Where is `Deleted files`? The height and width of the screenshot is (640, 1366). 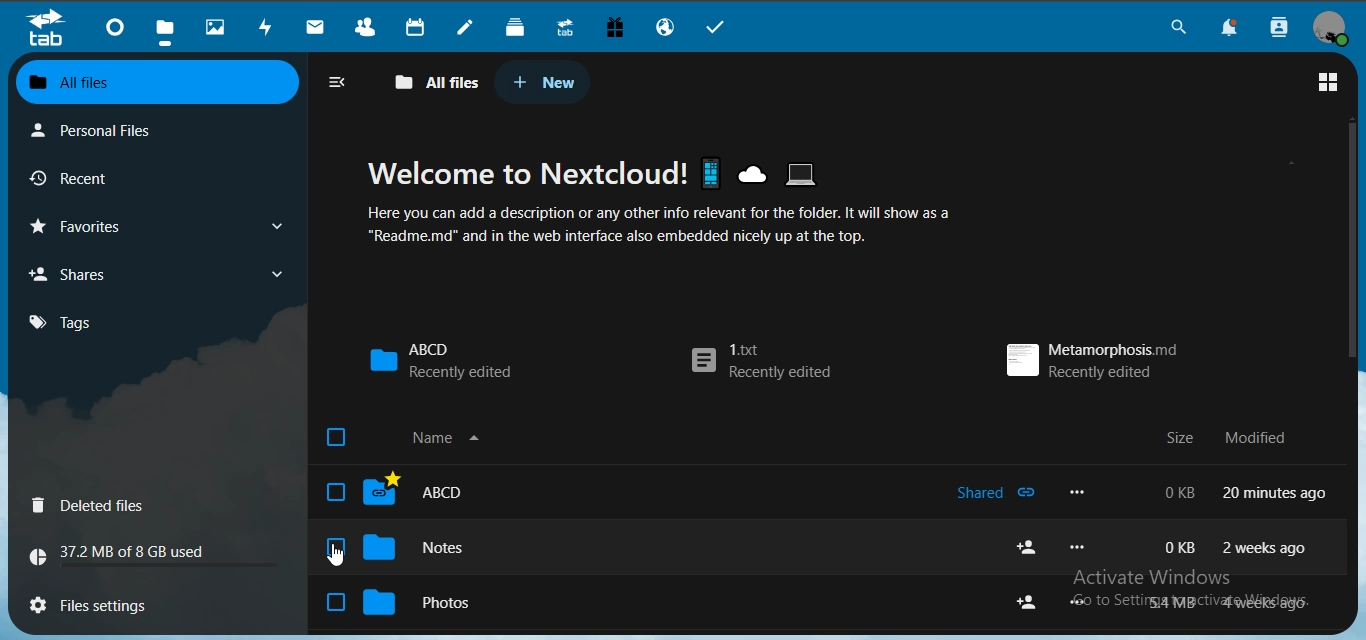 Deleted files is located at coordinates (115, 505).